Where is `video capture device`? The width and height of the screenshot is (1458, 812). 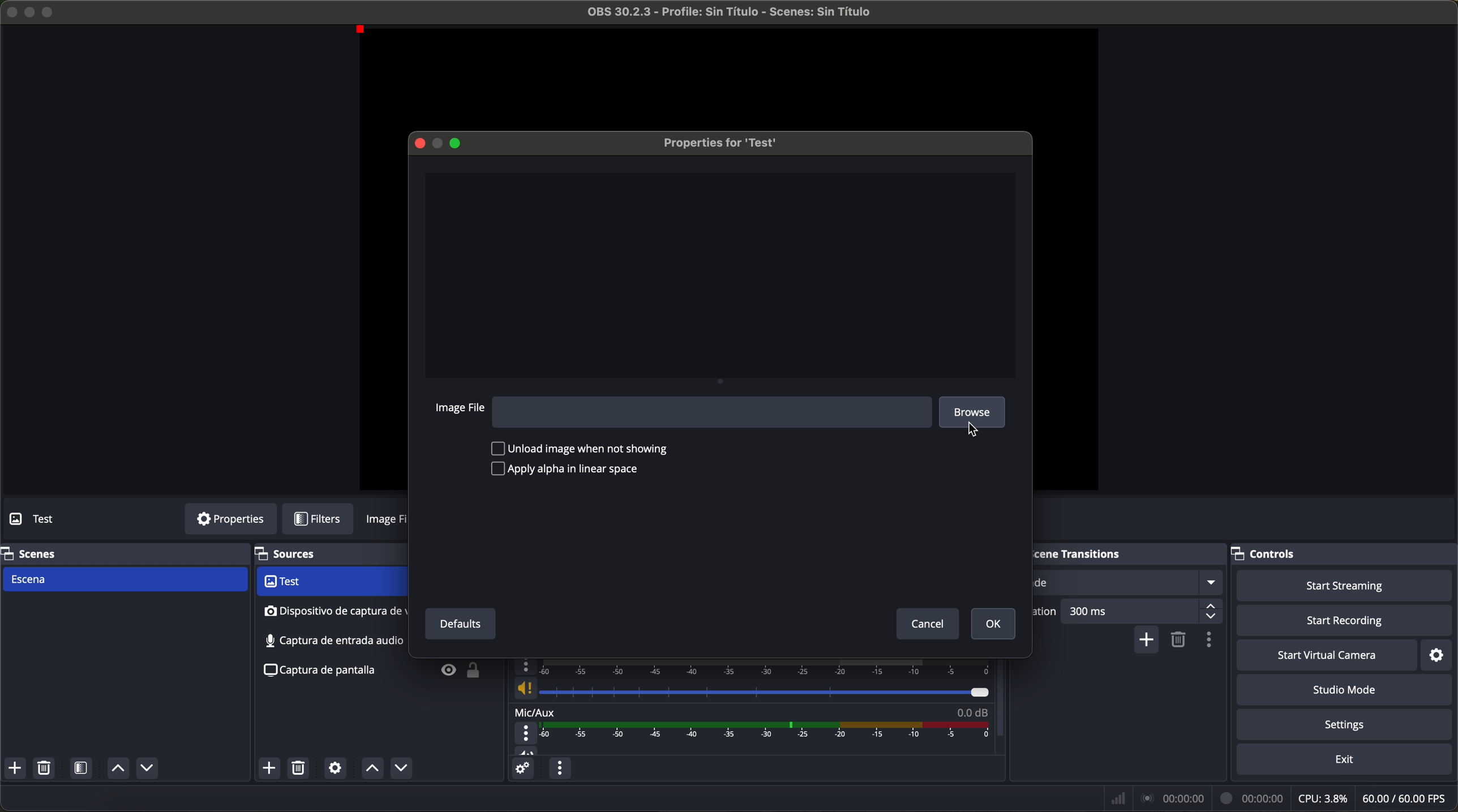 video capture device is located at coordinates (330, 582).